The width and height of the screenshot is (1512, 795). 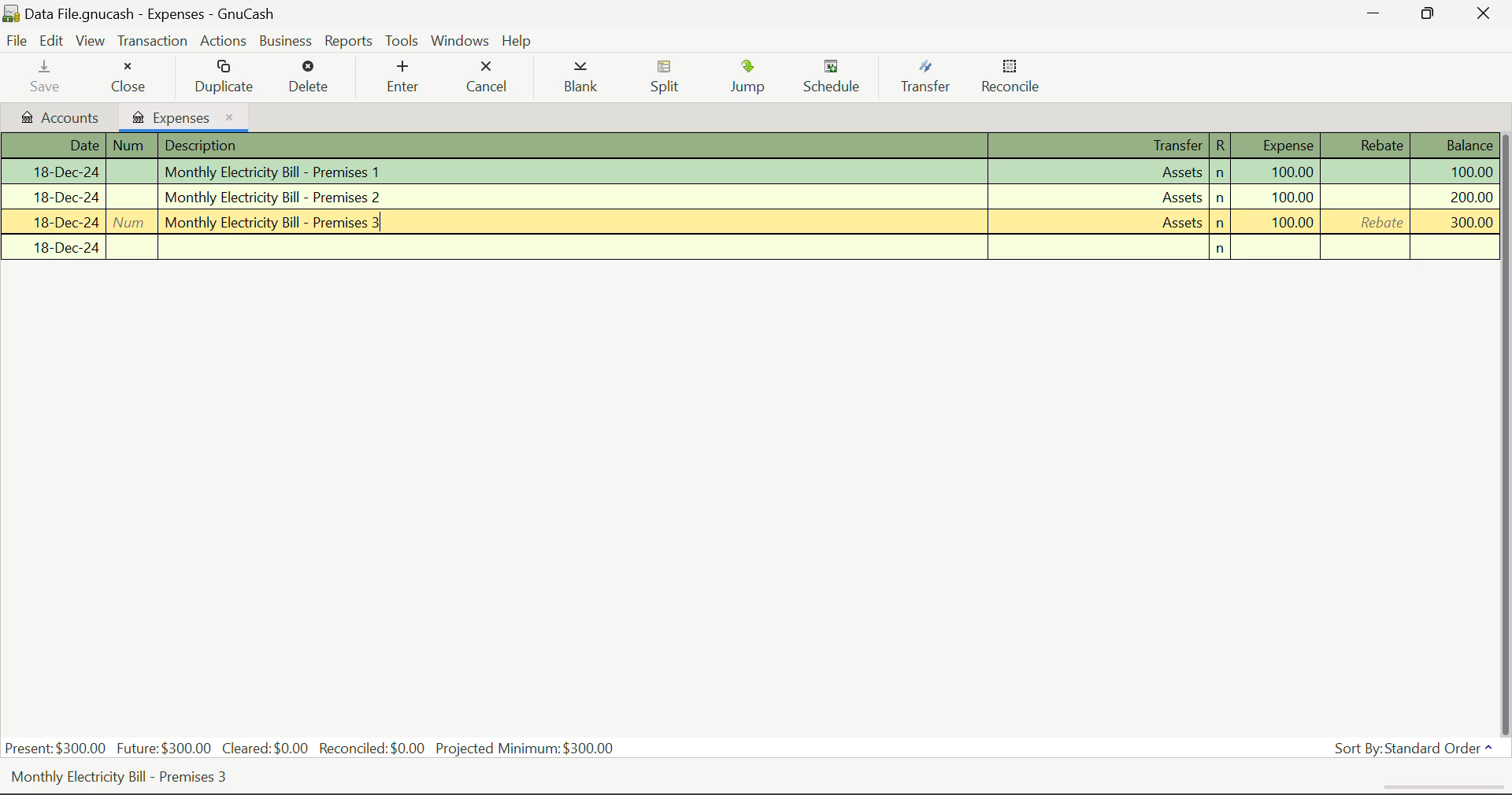 I want to click on Enter, so click(x=402, y=77).